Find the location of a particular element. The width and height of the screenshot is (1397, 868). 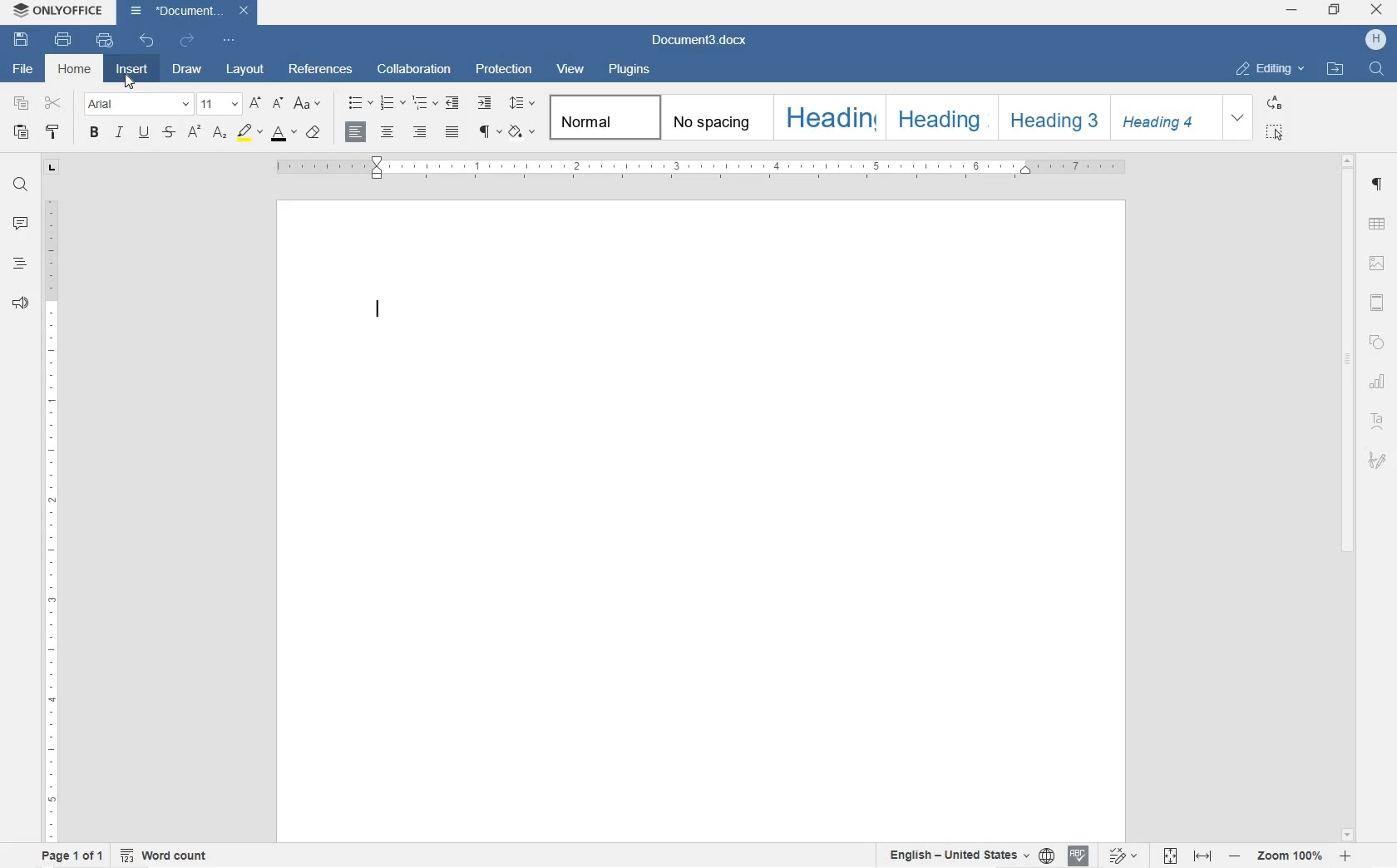

INCREMENT FONT SIZE is located at coordinates (257, 104).